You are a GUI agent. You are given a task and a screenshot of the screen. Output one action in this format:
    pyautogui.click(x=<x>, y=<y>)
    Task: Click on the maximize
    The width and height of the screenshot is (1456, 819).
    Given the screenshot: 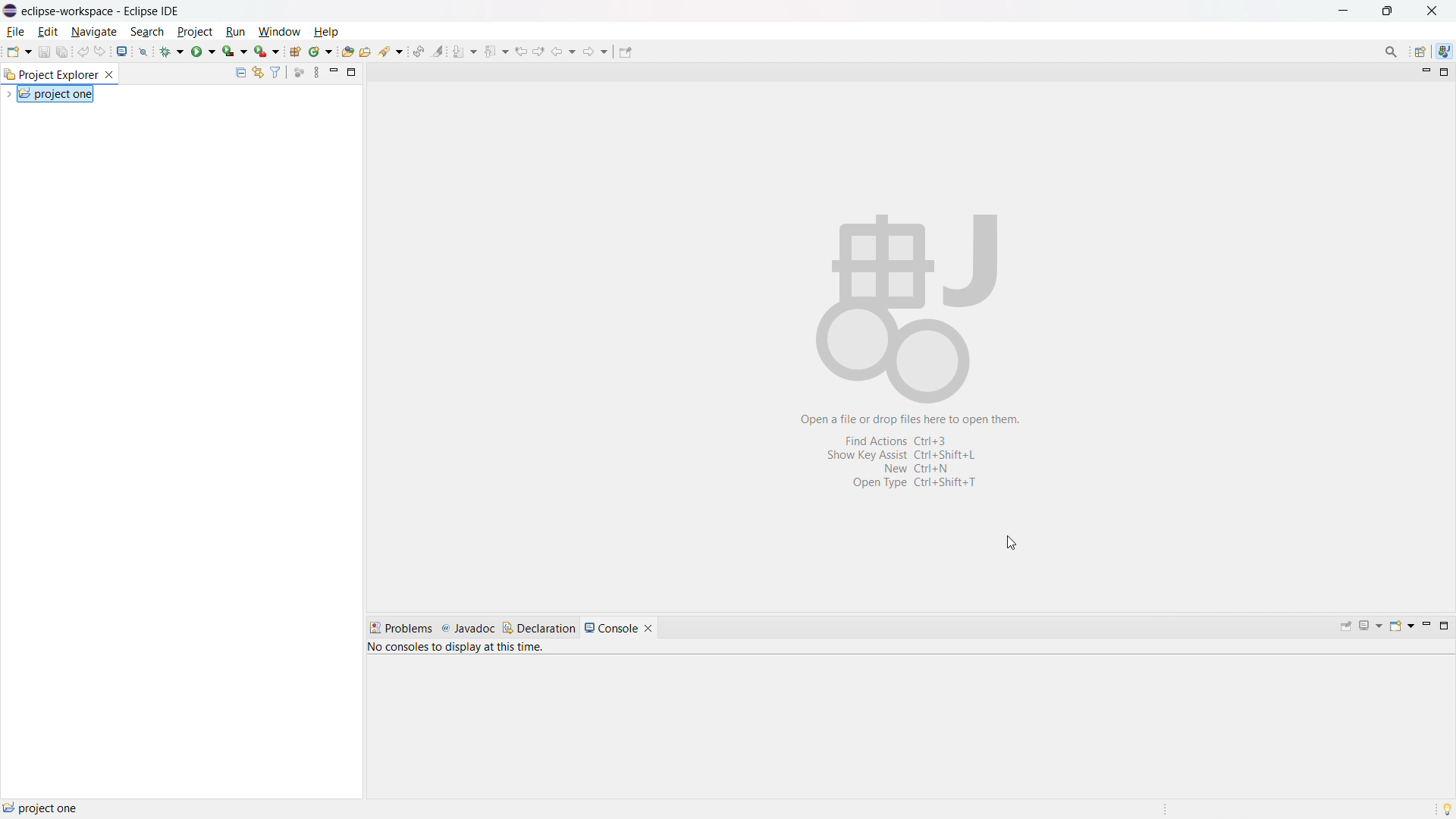 What is the action you would take?
    pyautogui.click(x=352, y=71)
    